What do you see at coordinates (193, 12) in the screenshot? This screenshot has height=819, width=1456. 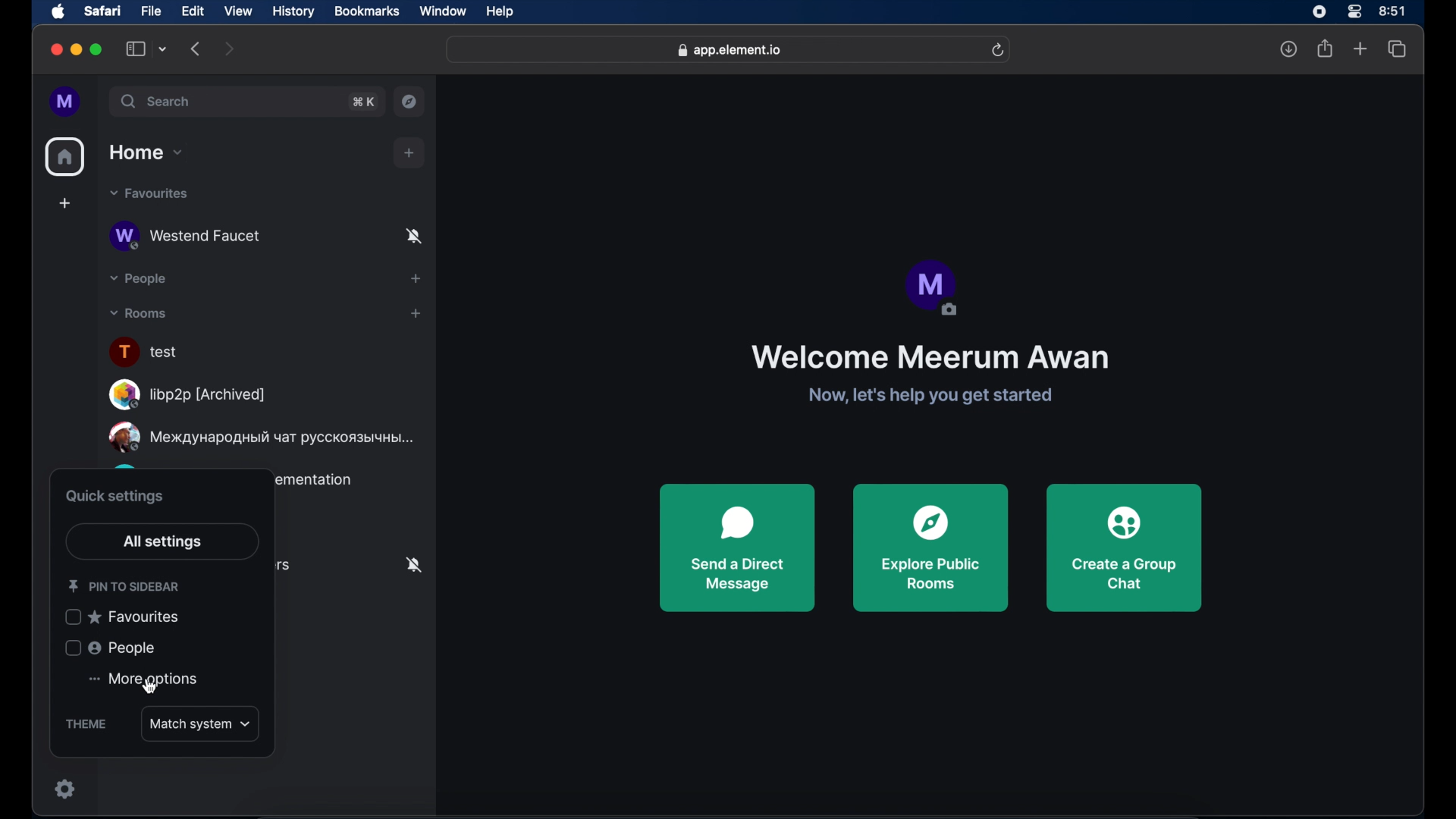 I see `edit` at bounding box center [193, 12].